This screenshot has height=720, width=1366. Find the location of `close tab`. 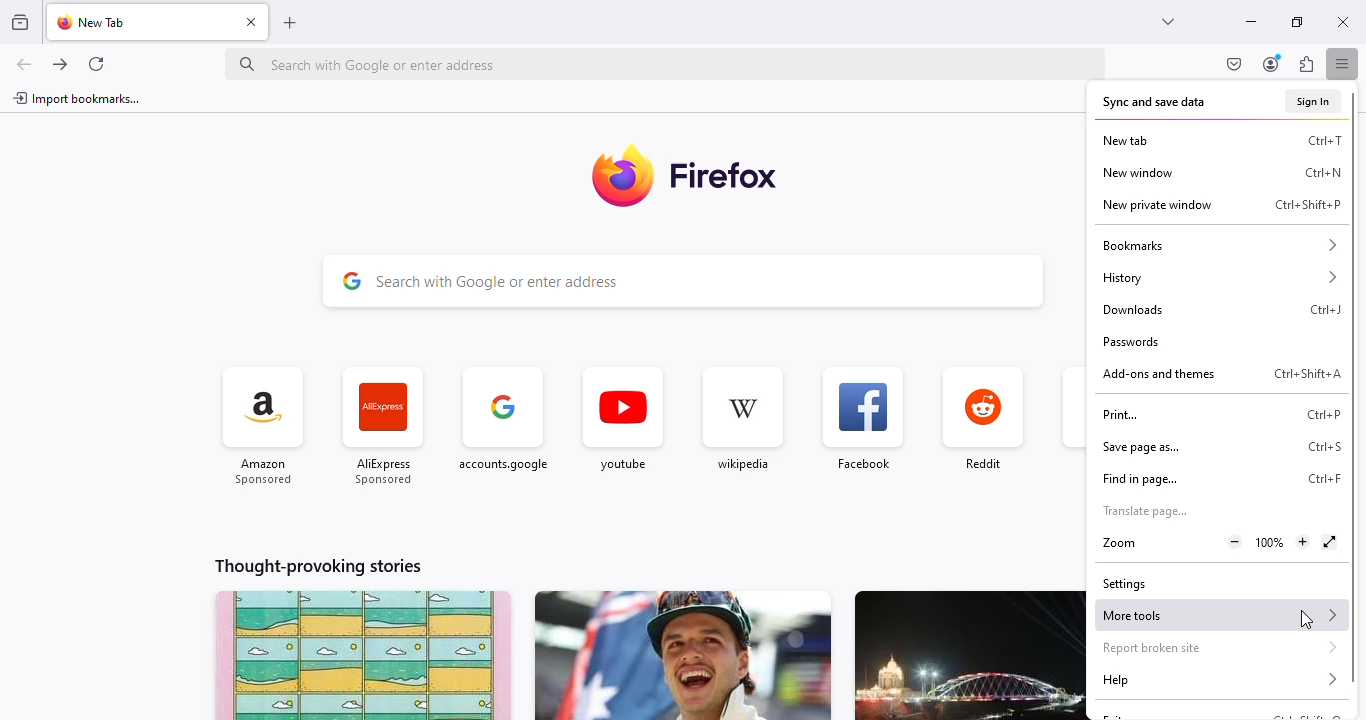

close tab is located at coordinates (252, 21).